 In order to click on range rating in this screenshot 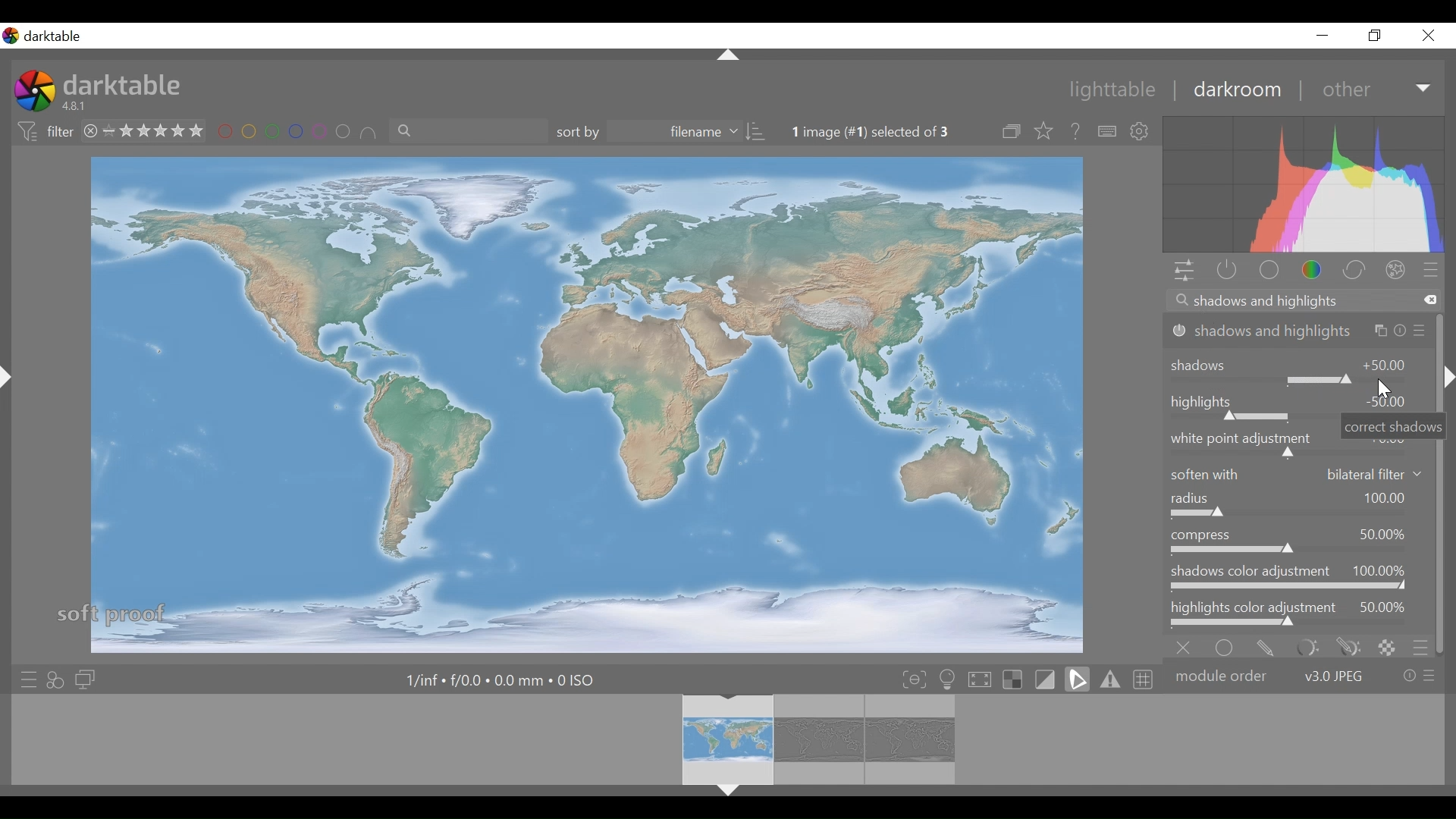, I will do `click(144, 130)`.